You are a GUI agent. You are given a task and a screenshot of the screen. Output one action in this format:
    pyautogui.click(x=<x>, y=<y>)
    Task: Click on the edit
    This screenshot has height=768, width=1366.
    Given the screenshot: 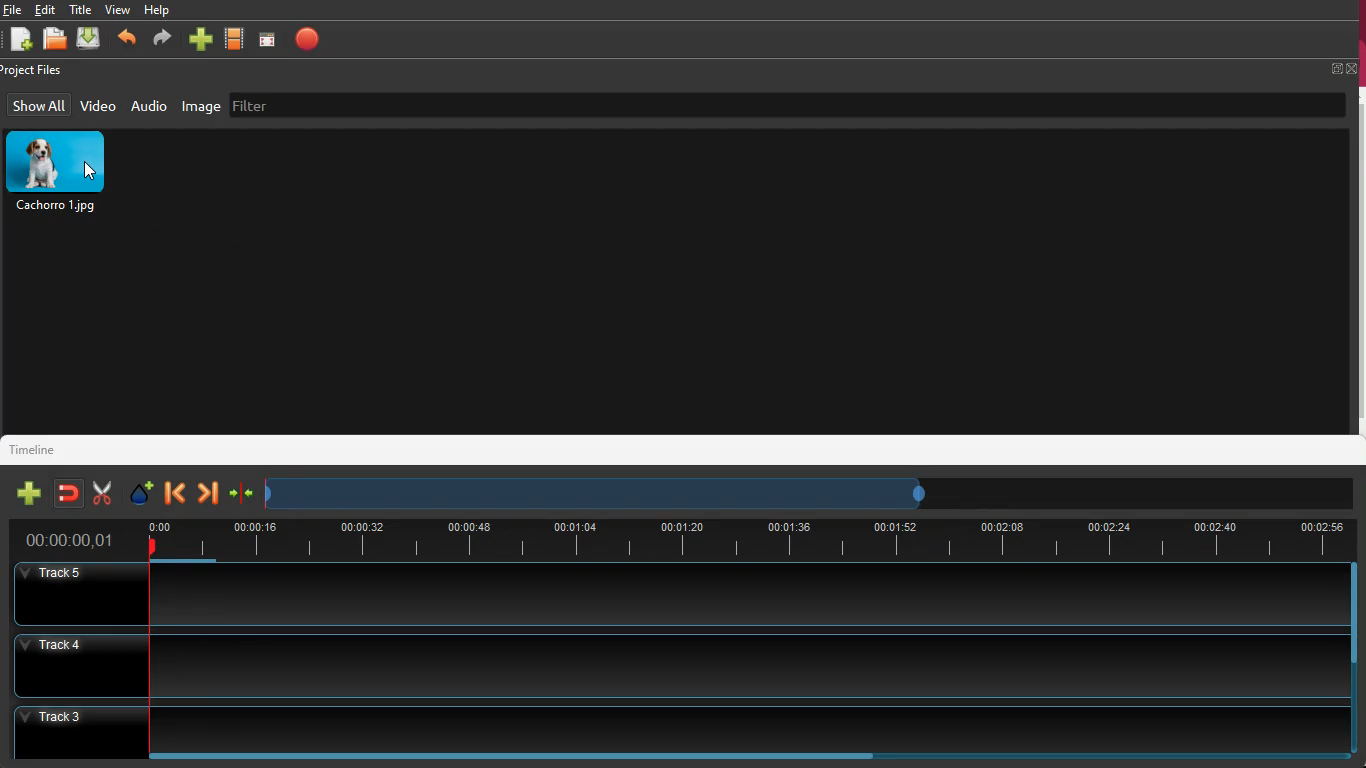 What is the action you would take?
    pyautogui.click(x=49, y=10)
    